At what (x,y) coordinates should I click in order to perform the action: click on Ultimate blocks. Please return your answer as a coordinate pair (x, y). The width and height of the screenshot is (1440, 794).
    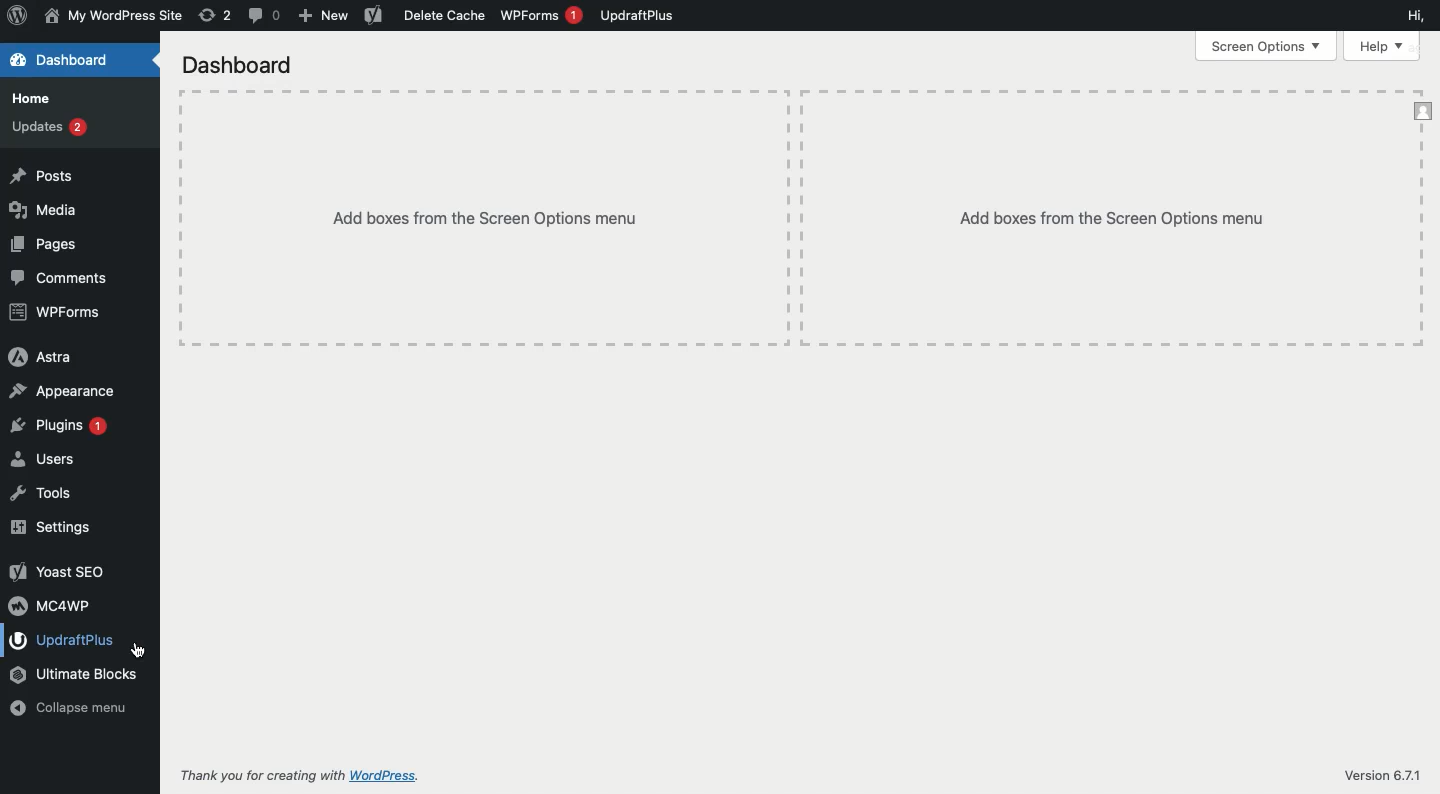
    Looking at the image, I should click on (75, 673).